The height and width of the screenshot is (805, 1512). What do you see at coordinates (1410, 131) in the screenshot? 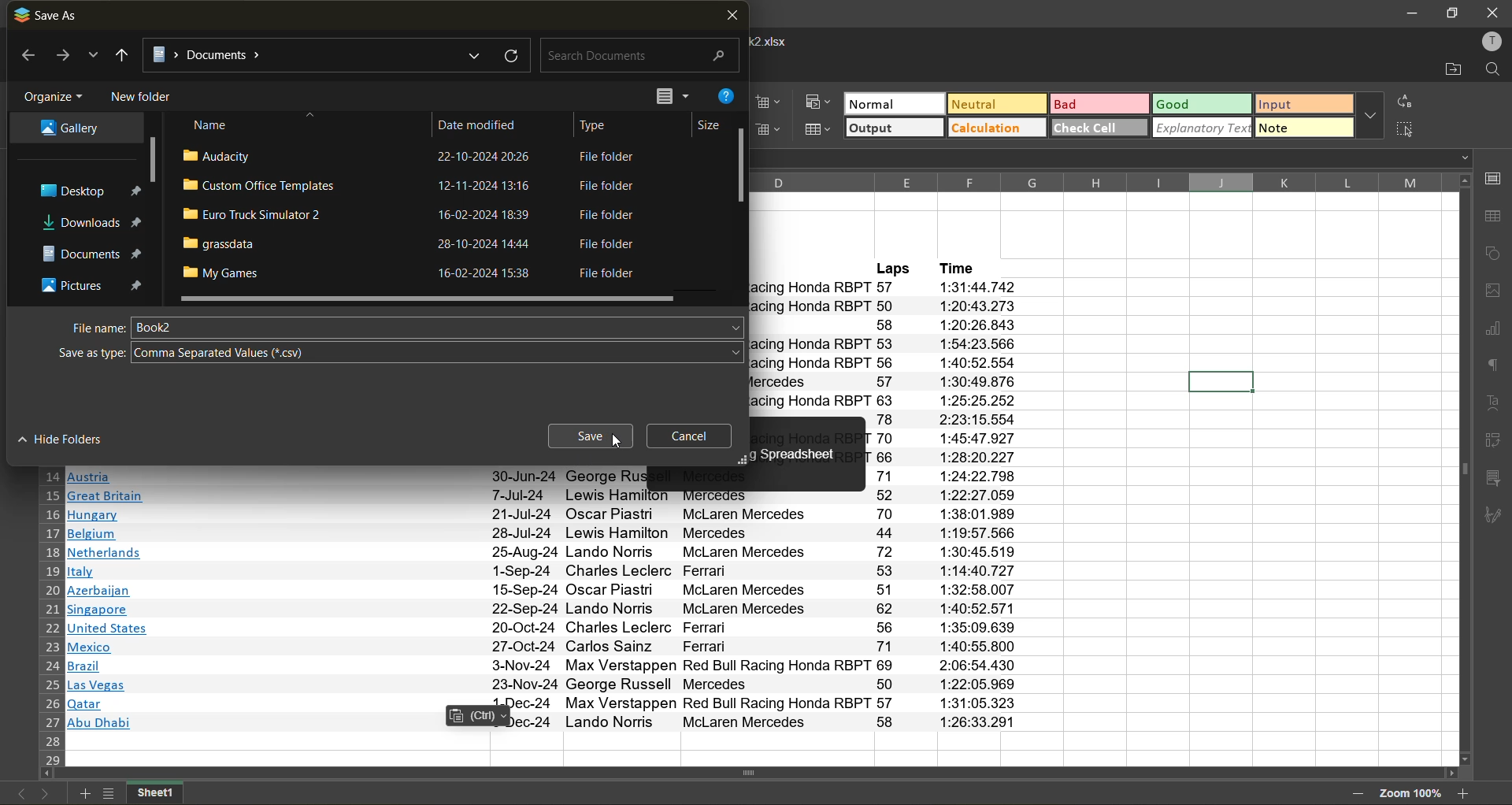
I see `select all` at bounding box center [1410, 131].